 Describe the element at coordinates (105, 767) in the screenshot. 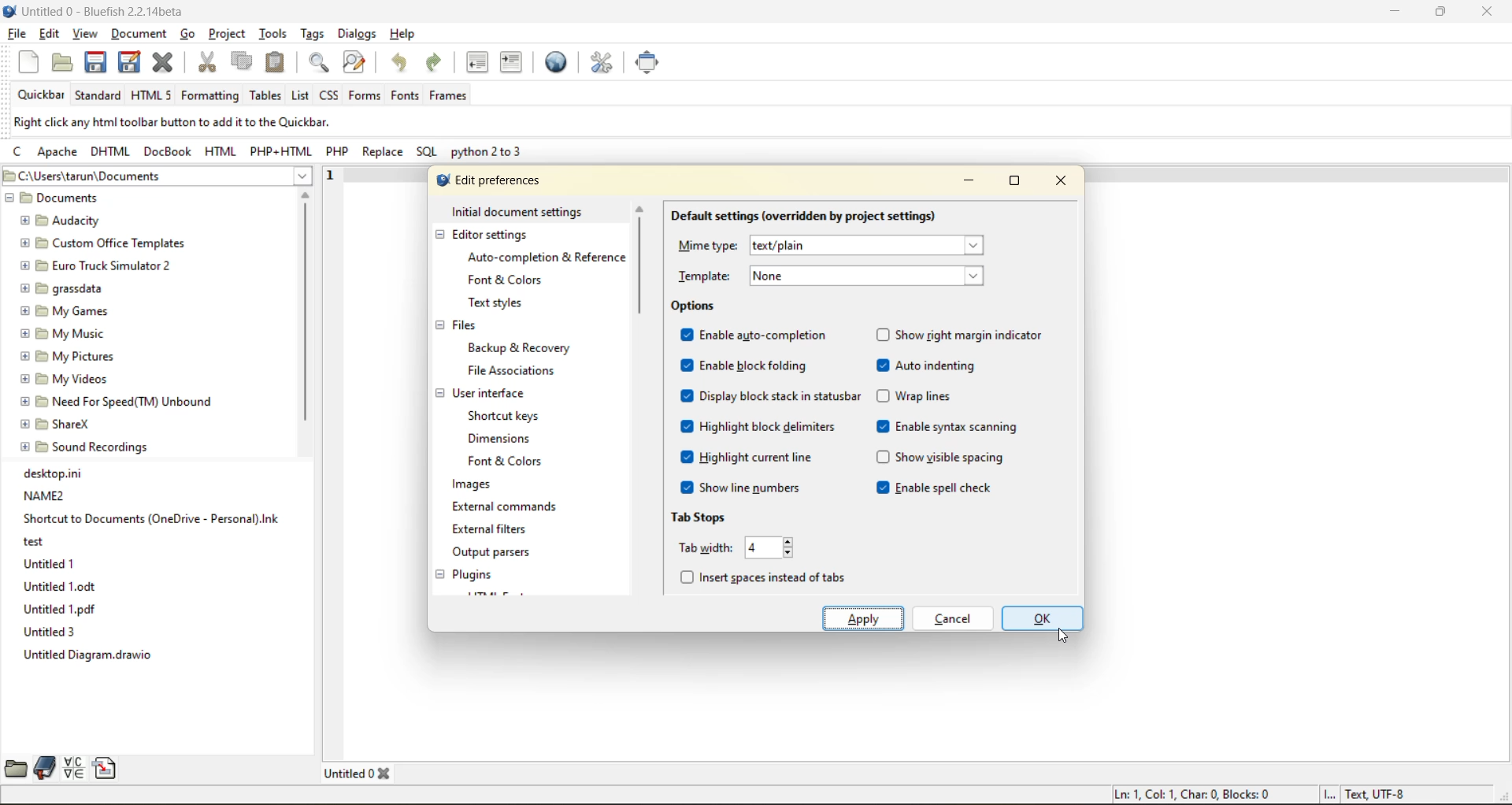

I see `snippets` at that location.